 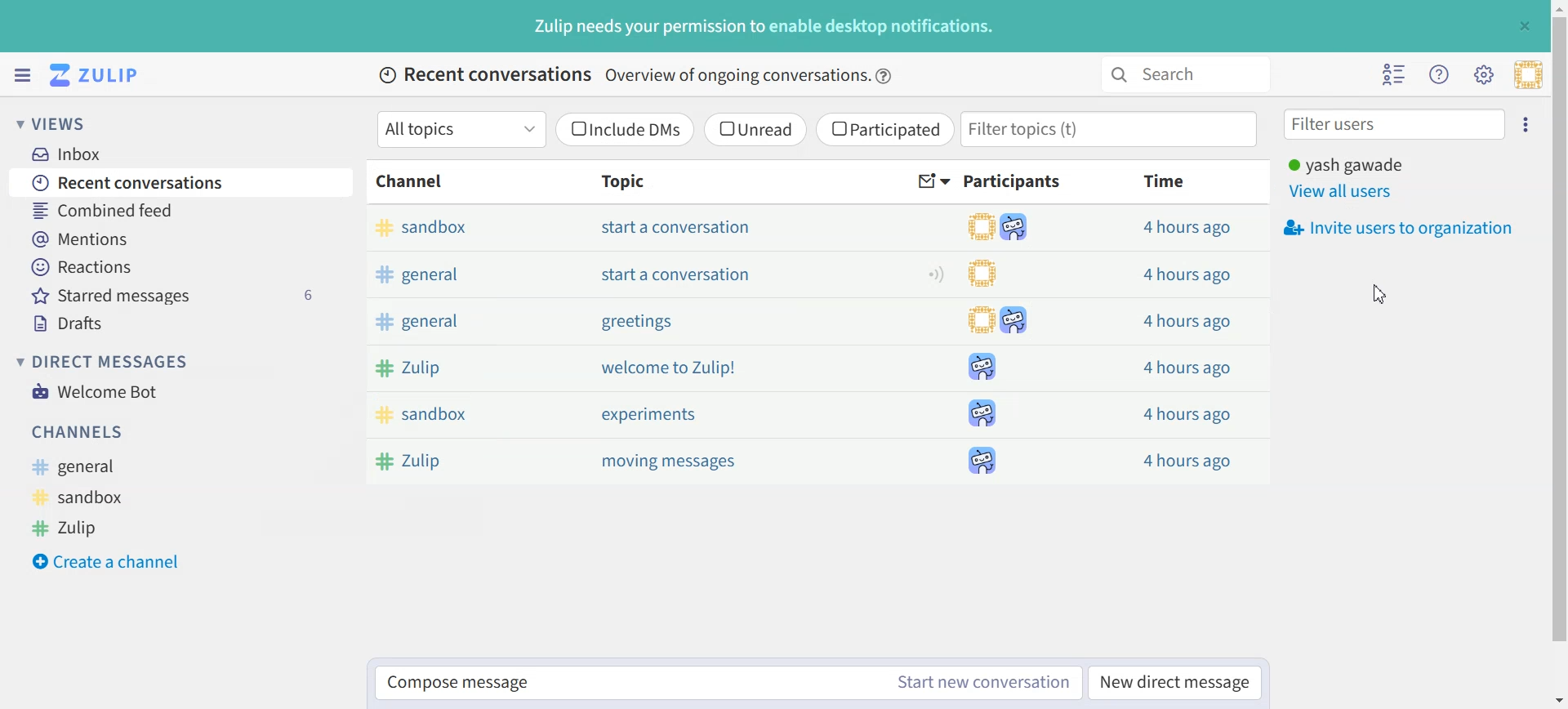 I want to click on All topics, so click(x=461, y=129).